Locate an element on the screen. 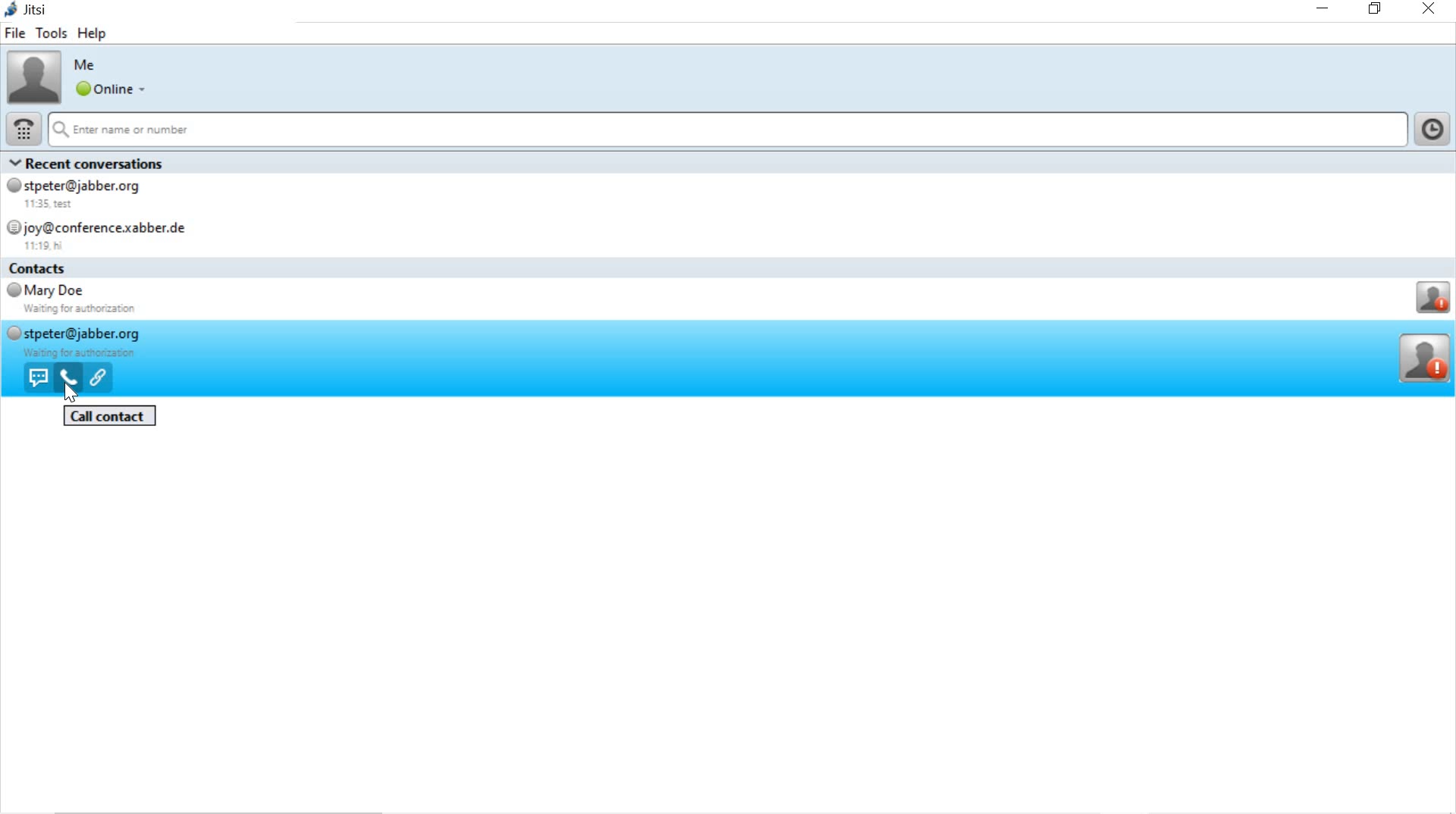 Image resolution: width=1456 pixels, height=814 pixels. jitsi is located at coordinates (30, 11).